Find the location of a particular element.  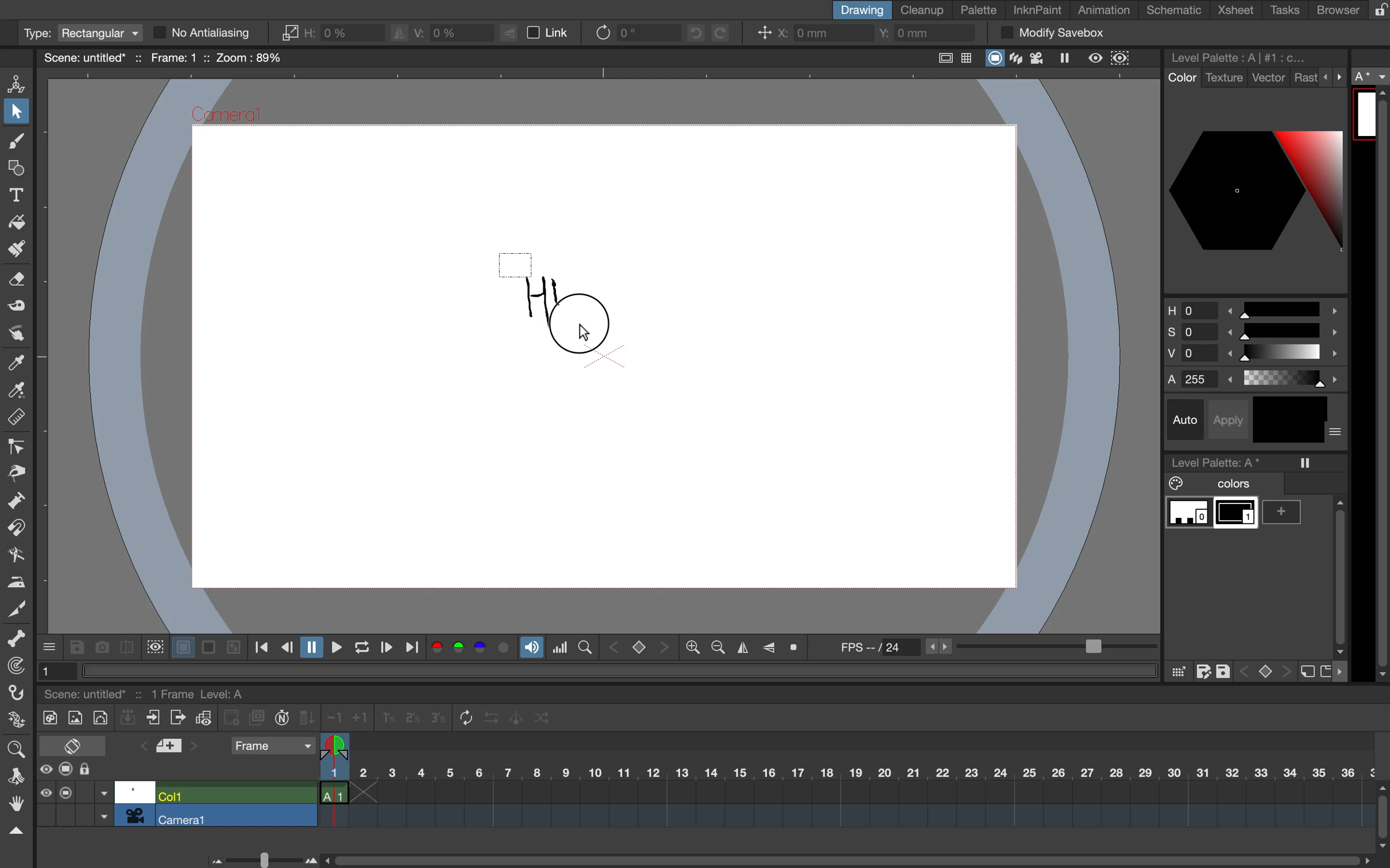

texture is located at coordinates (1223, 78).